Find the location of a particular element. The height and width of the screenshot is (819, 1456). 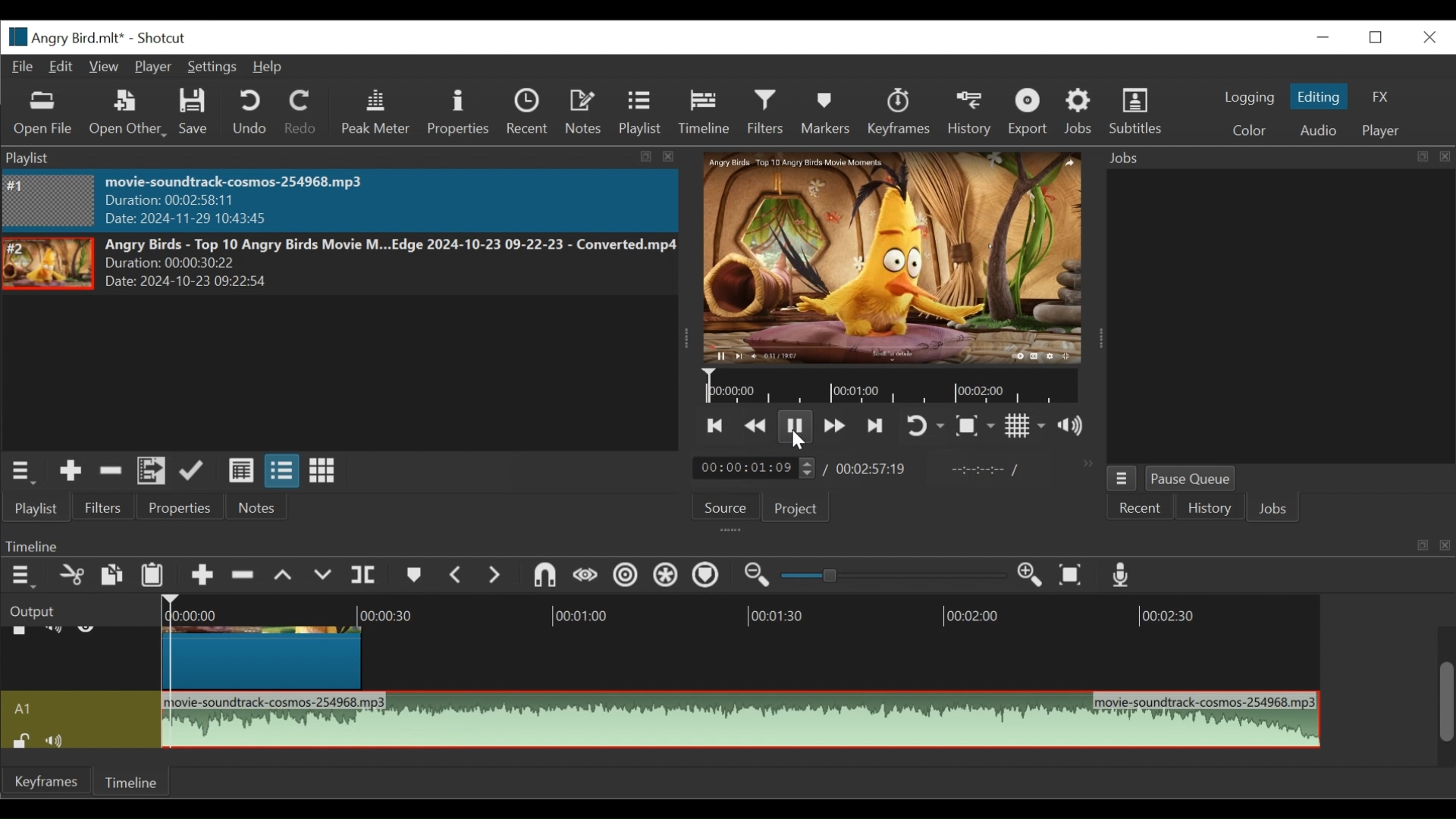

File Name is located at coordinates (65, 36).